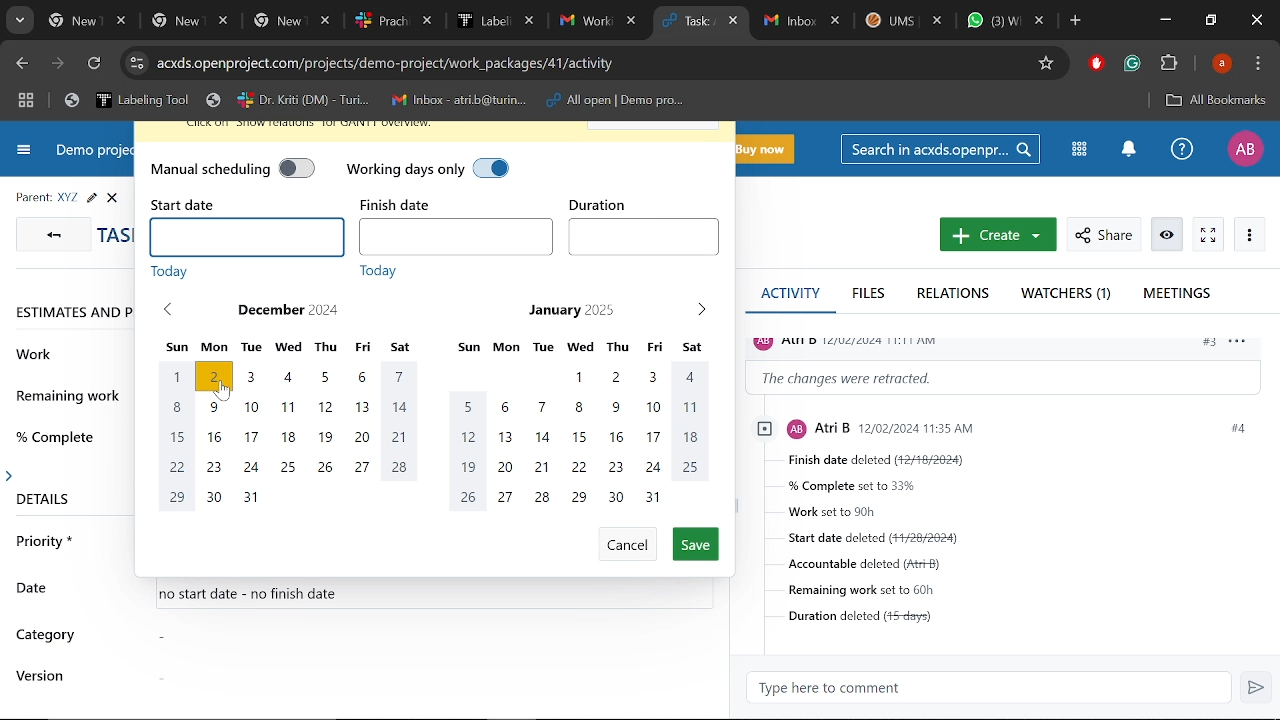  Describe the element at coordinates (1208, 344) in the screenshot. I see `#3` at that location.